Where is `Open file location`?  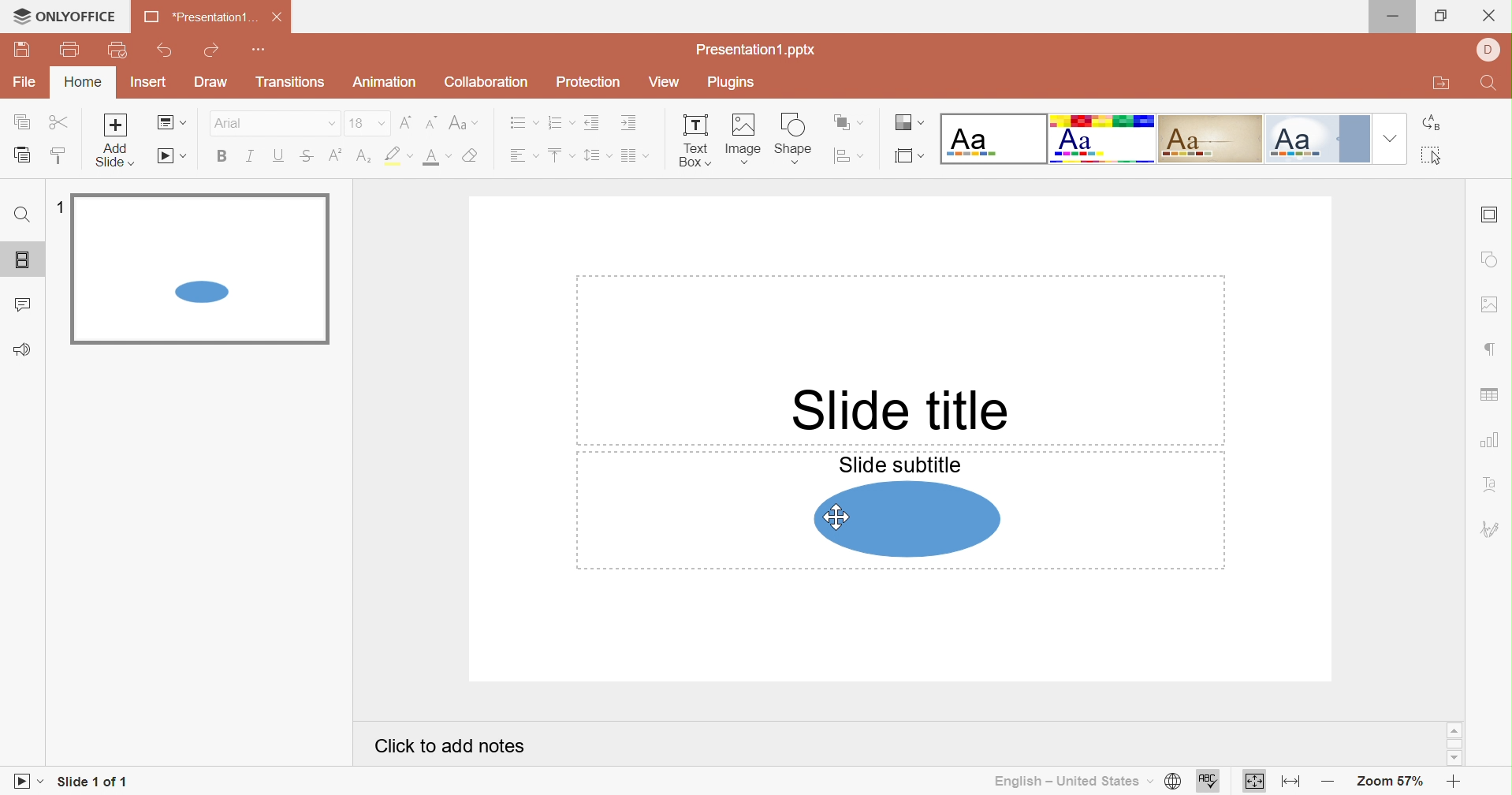 Open file location is located at coordinates (1440, 84).